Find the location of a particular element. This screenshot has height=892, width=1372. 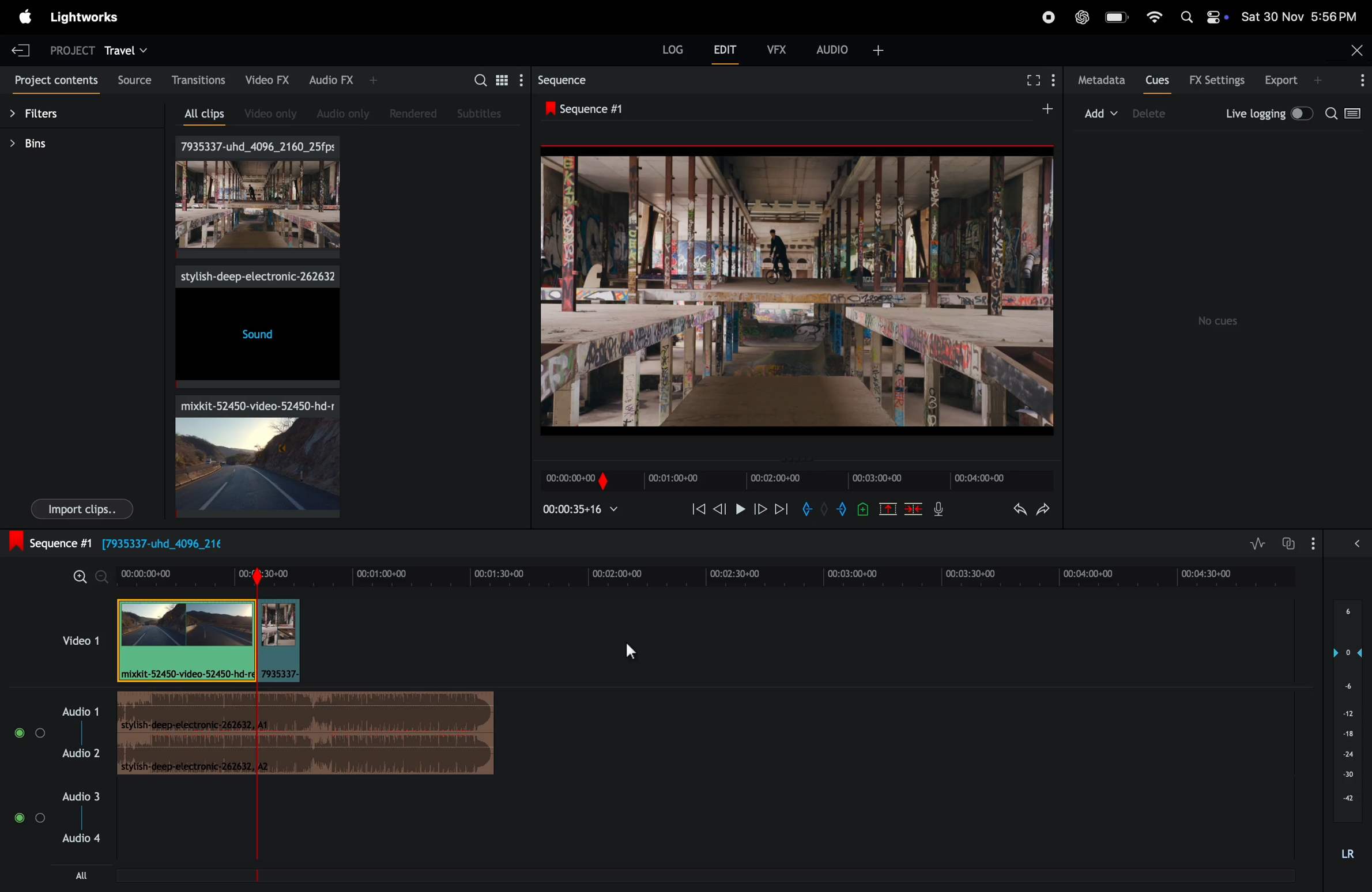

date and time is located at coordinates (1299, 17).